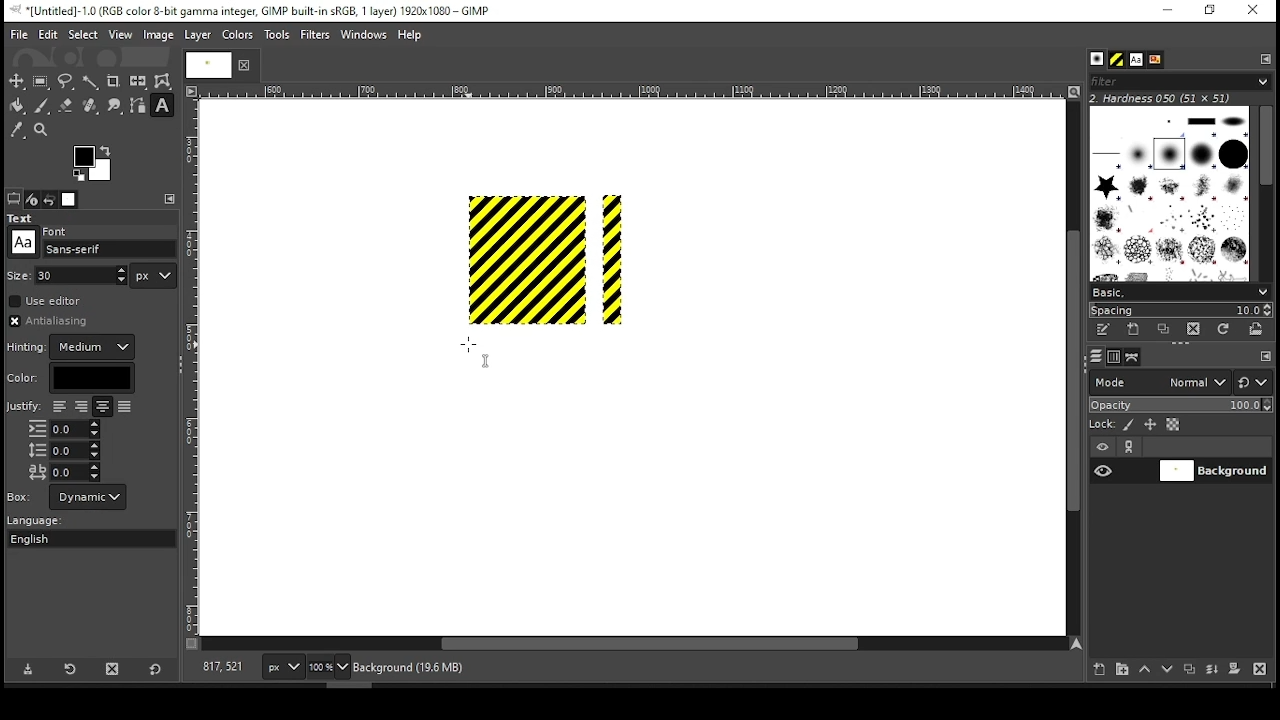  Describe the element at coordinates (23, 218) in the screenshot. I see `text` at that location.